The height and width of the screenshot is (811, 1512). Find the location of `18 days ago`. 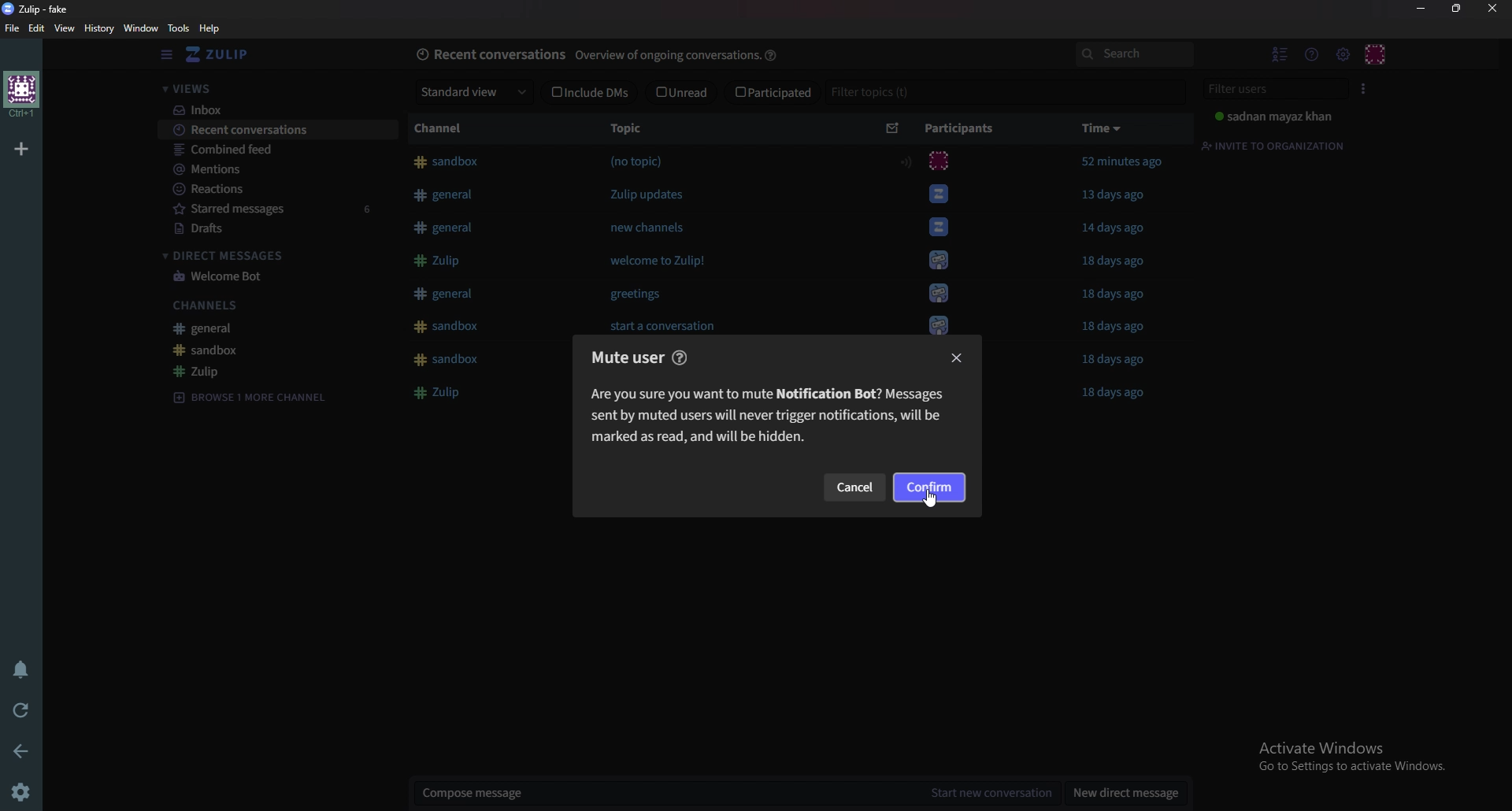

18 days ago is located at coordinates (1120, 393).